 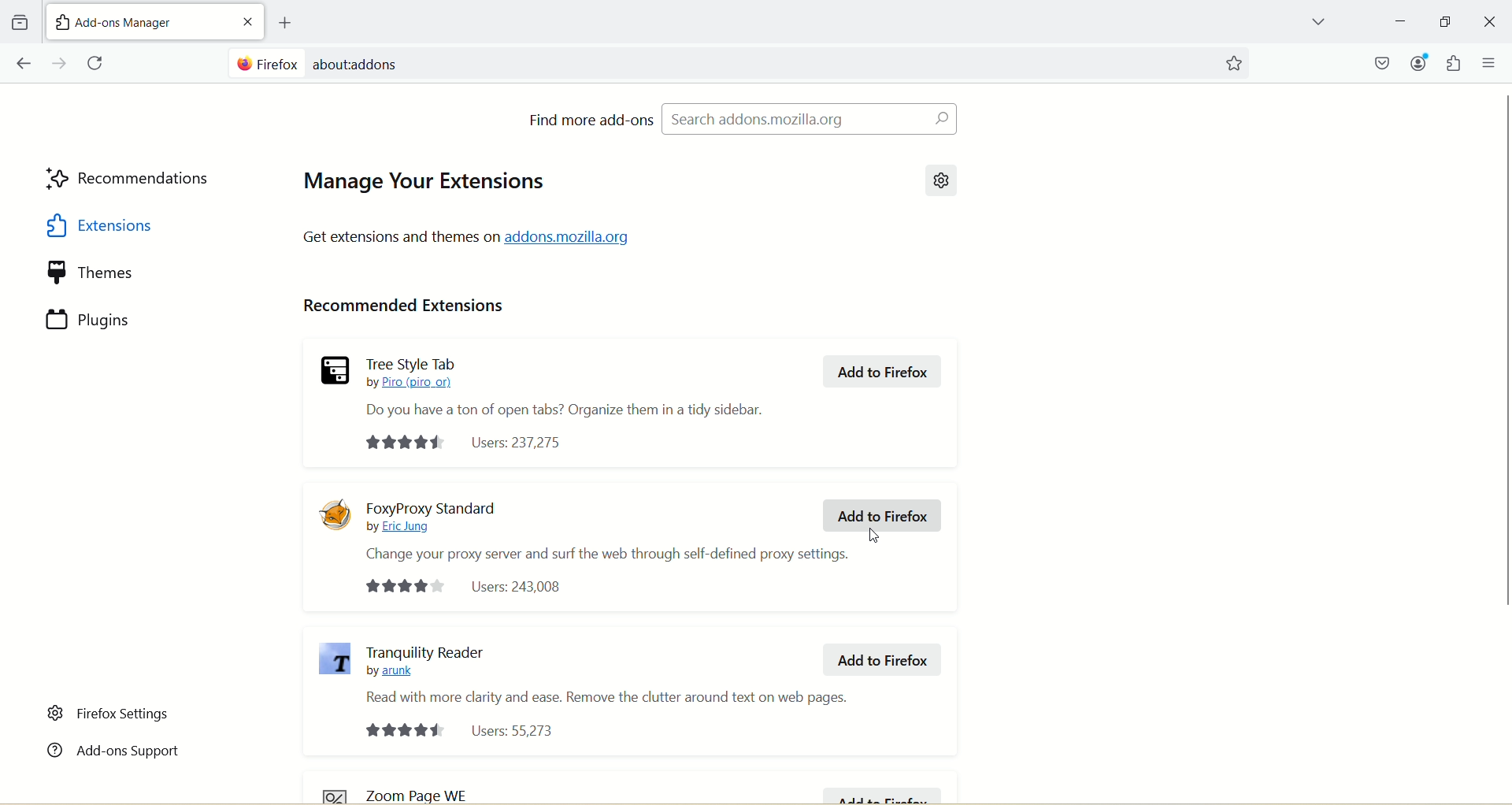 I want to click on FoxyProxy Standard
by Eric Jung, so click(x=433, y=517).